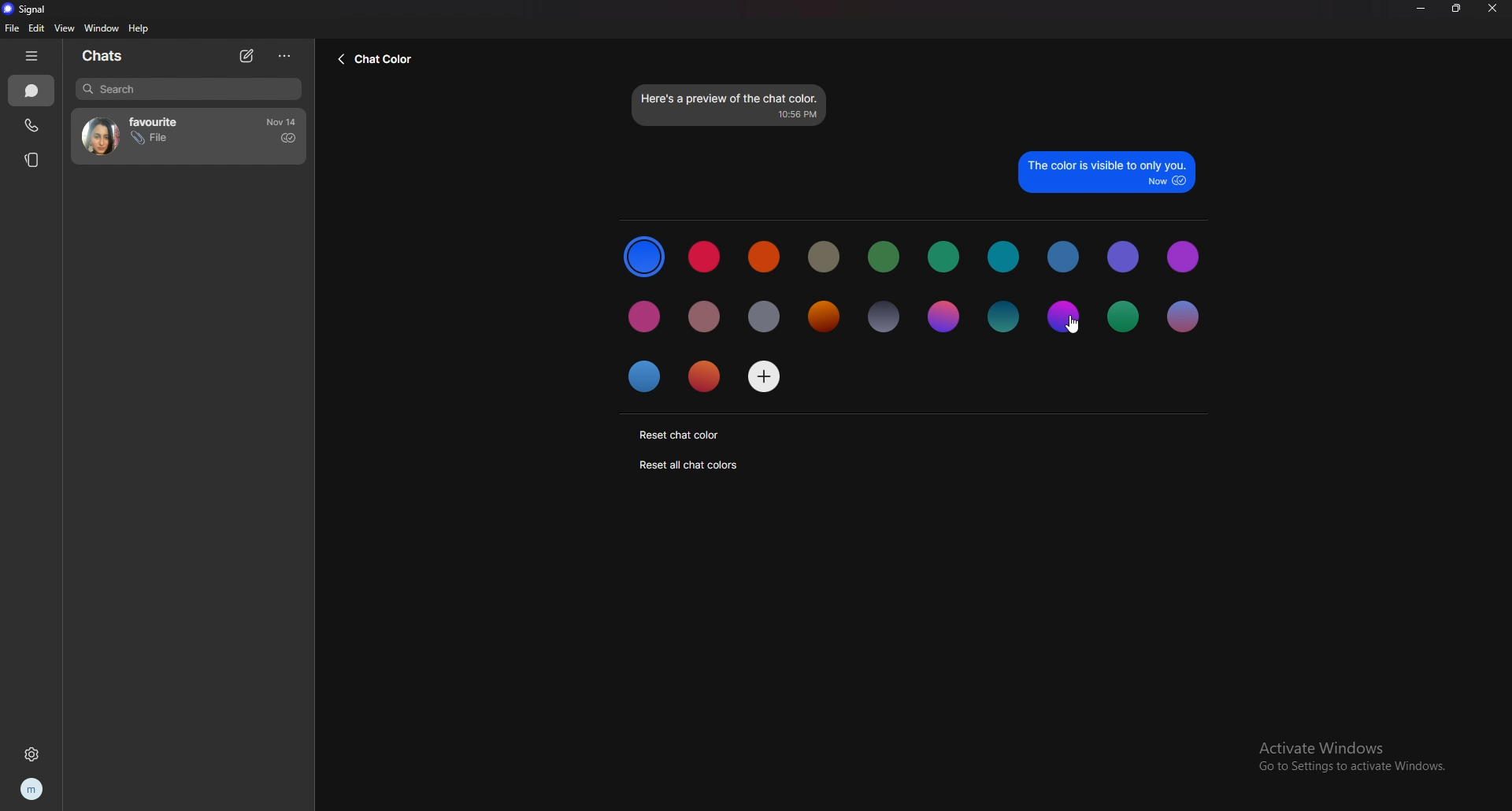  Describe the element at coordinates (283, 57) in the screenshot. I see `options` at that location.